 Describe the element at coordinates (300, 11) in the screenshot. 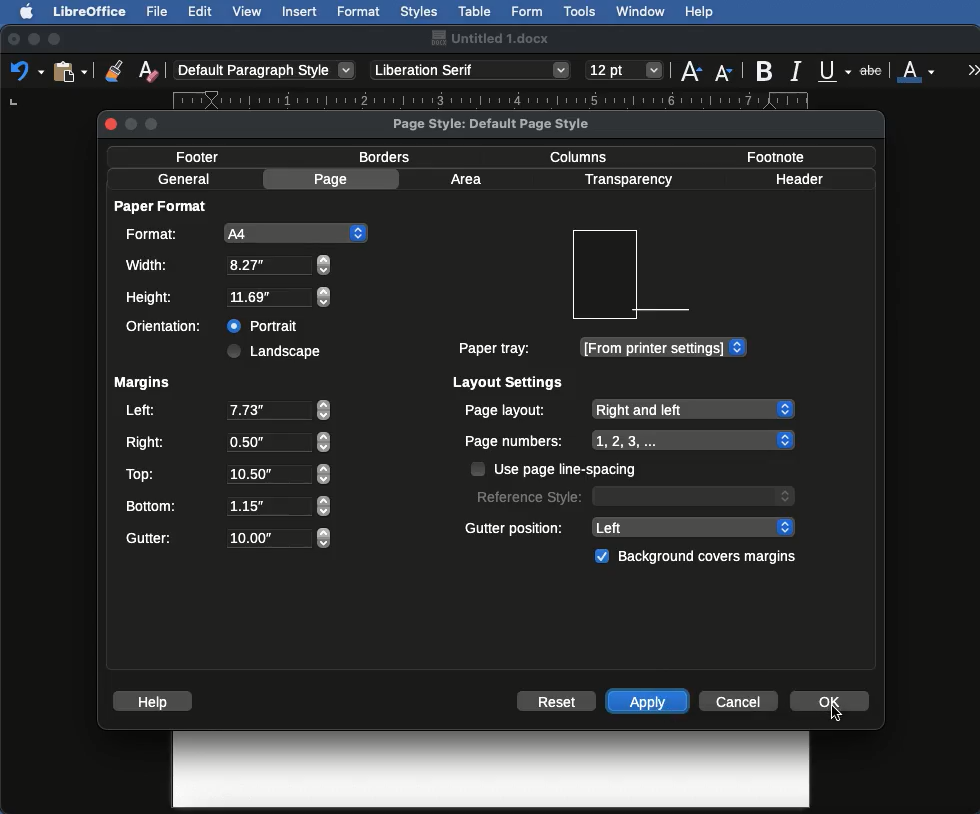

I see `Insert` at that location.